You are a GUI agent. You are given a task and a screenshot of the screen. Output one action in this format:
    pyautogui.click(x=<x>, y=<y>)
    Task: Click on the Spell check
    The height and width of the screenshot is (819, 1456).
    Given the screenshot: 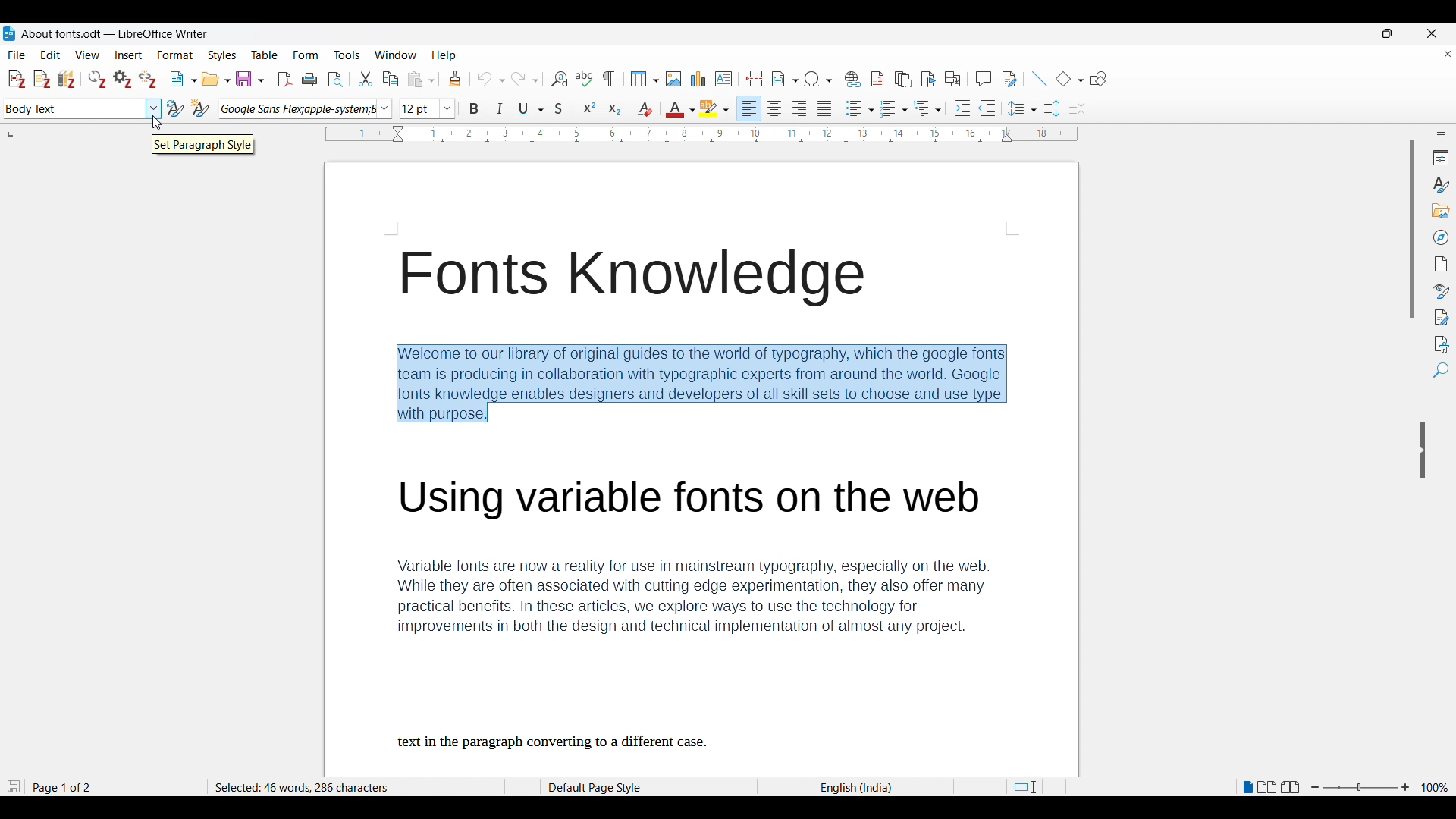 What is the action you would take?
    pyautogui.click(x=584, y=79)
    